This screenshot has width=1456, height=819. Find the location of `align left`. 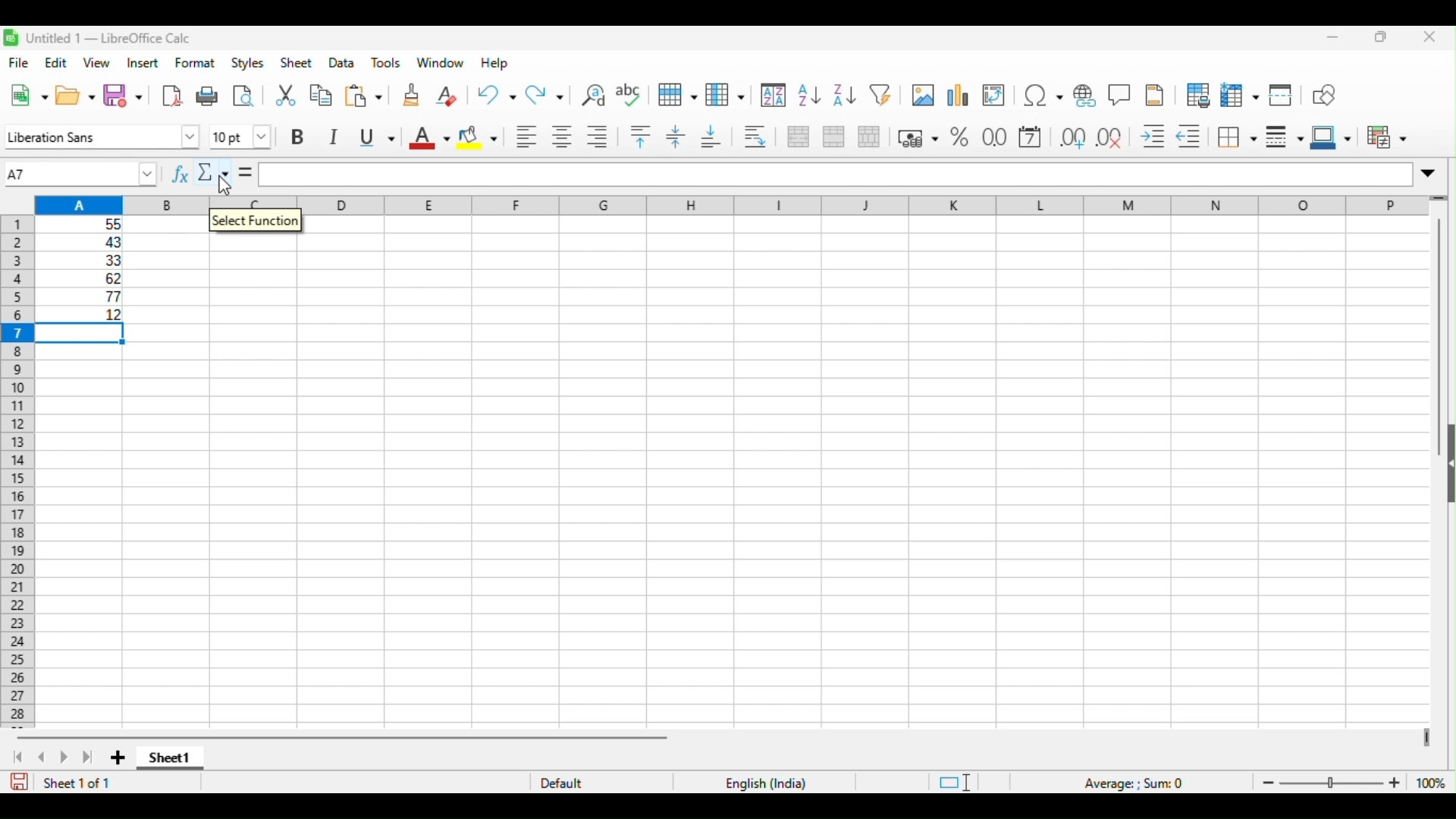

align left is located at coordinates (527, 137).